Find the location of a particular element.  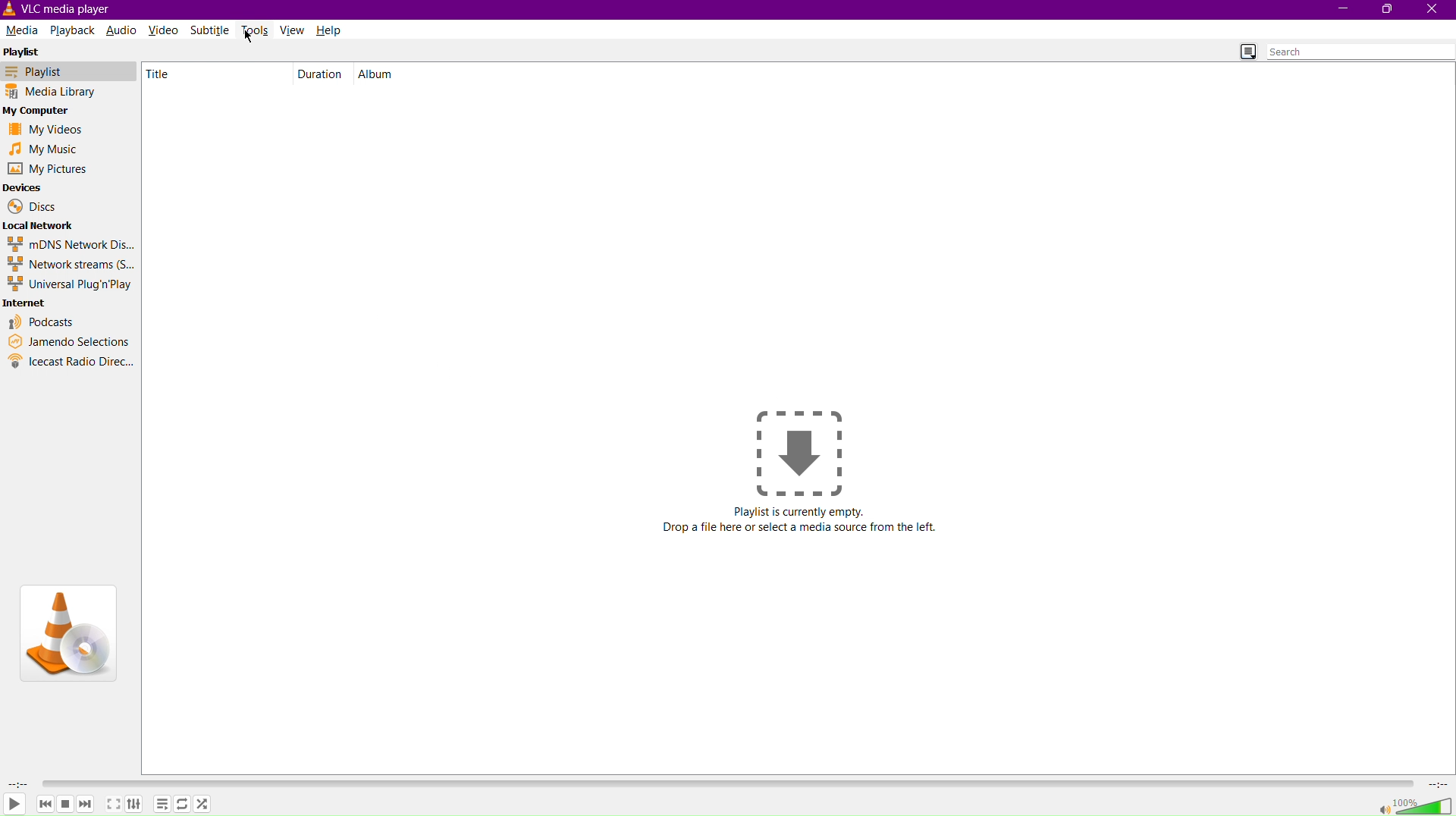

Tools is located at coordinates (257, 29).